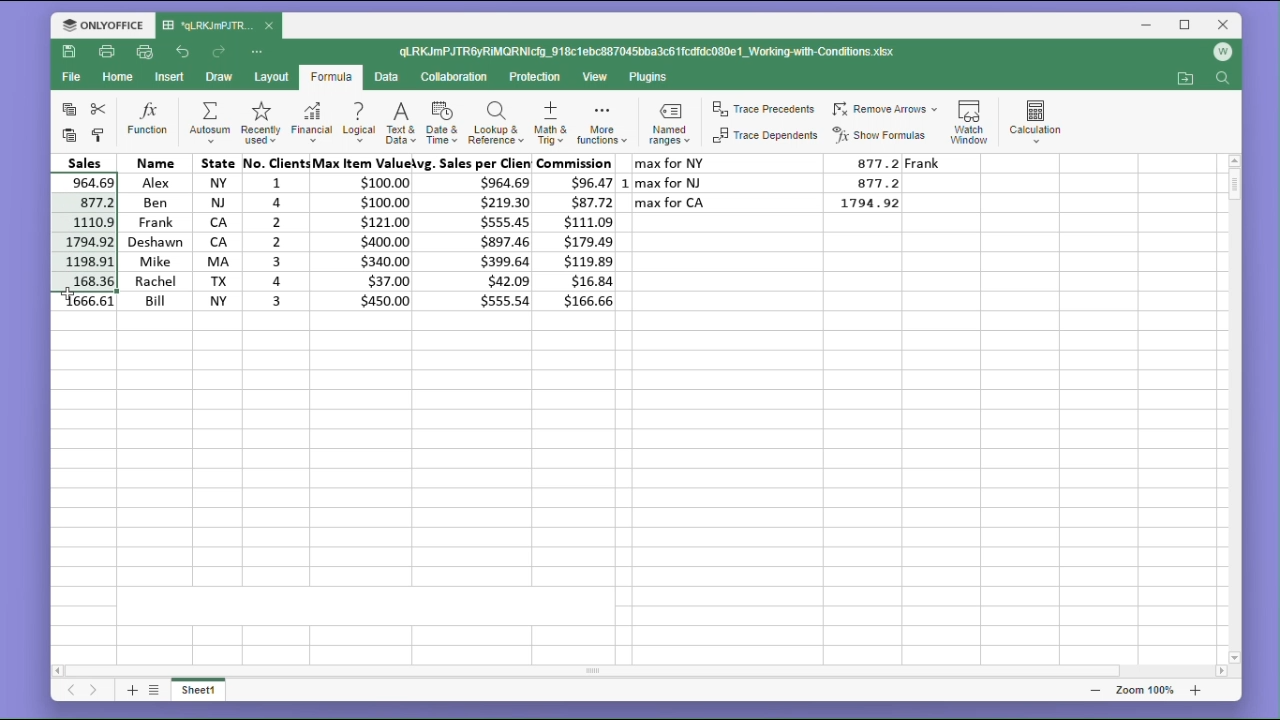 This screenshot has height=720, width=1280. Describe the element at coordinates (71, 80) in the screenshot. I see `file` at that location.